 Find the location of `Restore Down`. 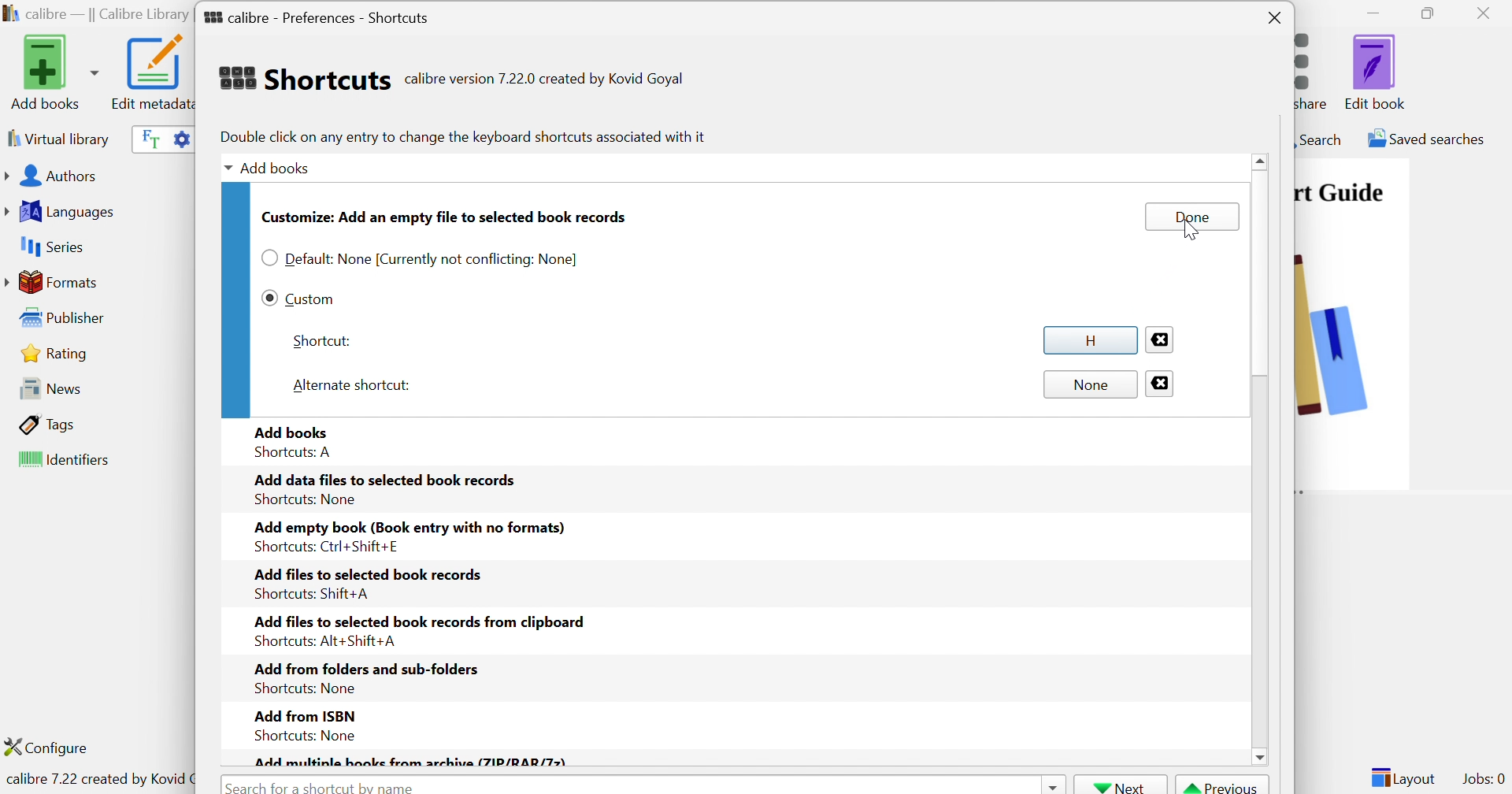

Restore Down is located at coordinates (1432, 14).